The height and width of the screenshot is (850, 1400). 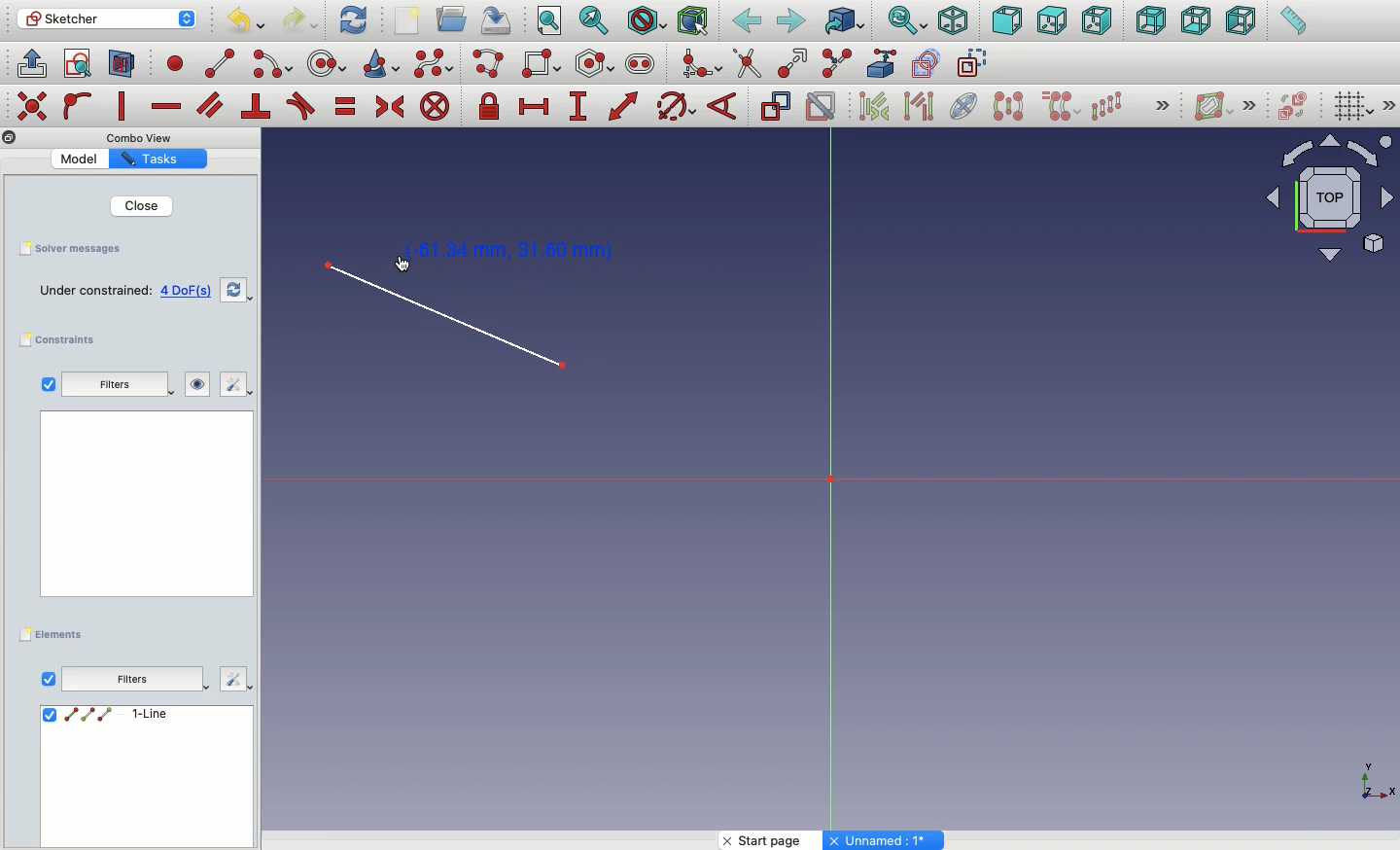 I want to click on , so click(x=1389, y=105).